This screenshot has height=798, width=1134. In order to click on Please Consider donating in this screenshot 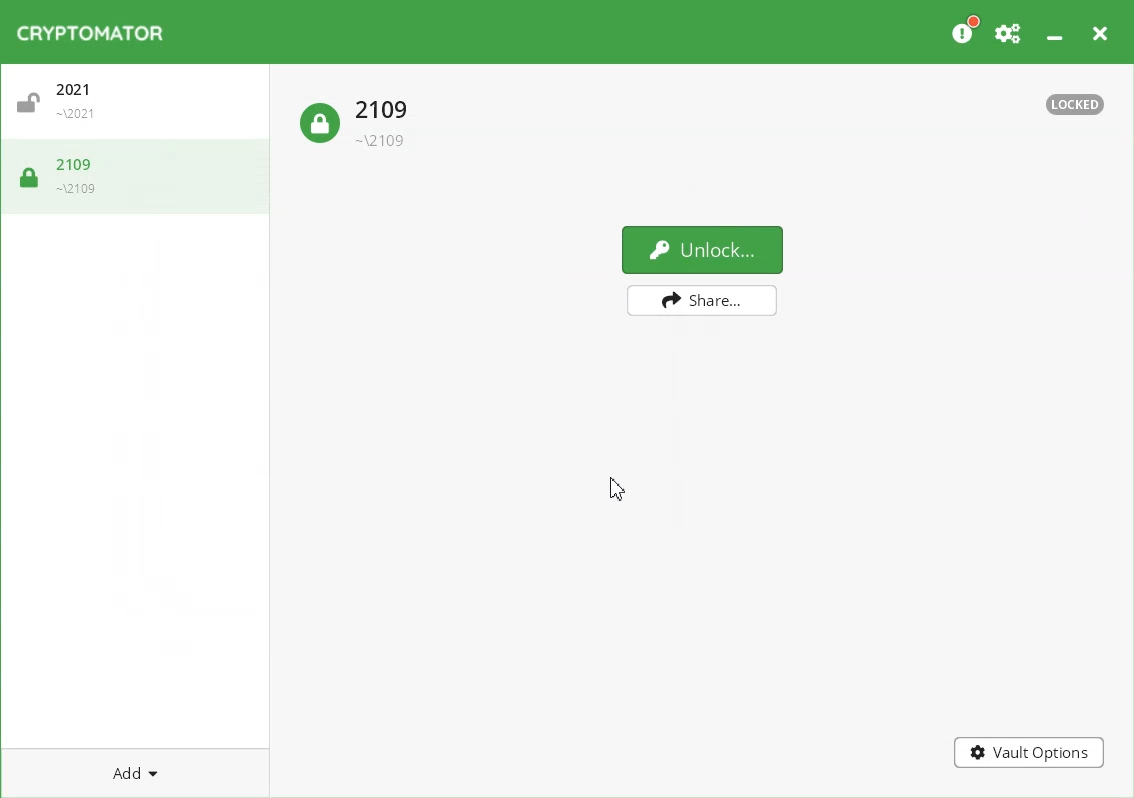, I will do `click(965, 31)`.